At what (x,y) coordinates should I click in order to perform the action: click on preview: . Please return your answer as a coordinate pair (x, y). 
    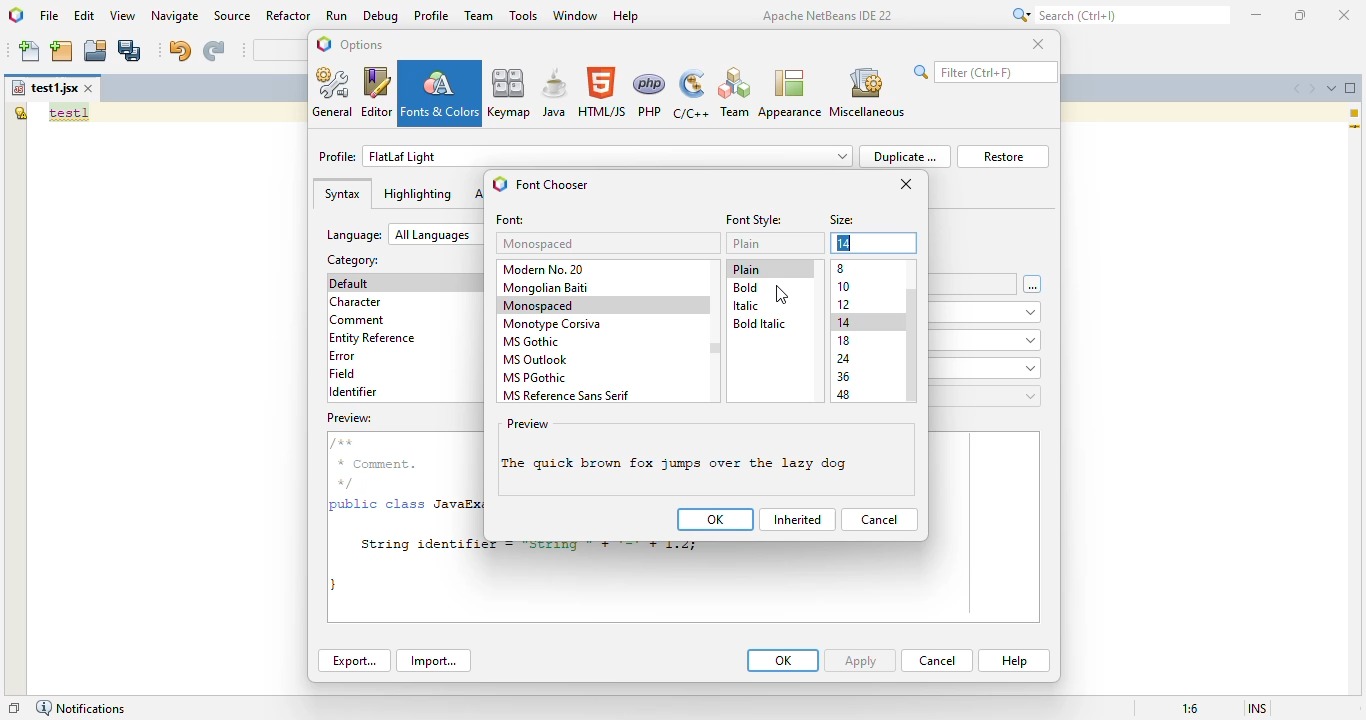
    Looking at the image, I should click on (352, 416).